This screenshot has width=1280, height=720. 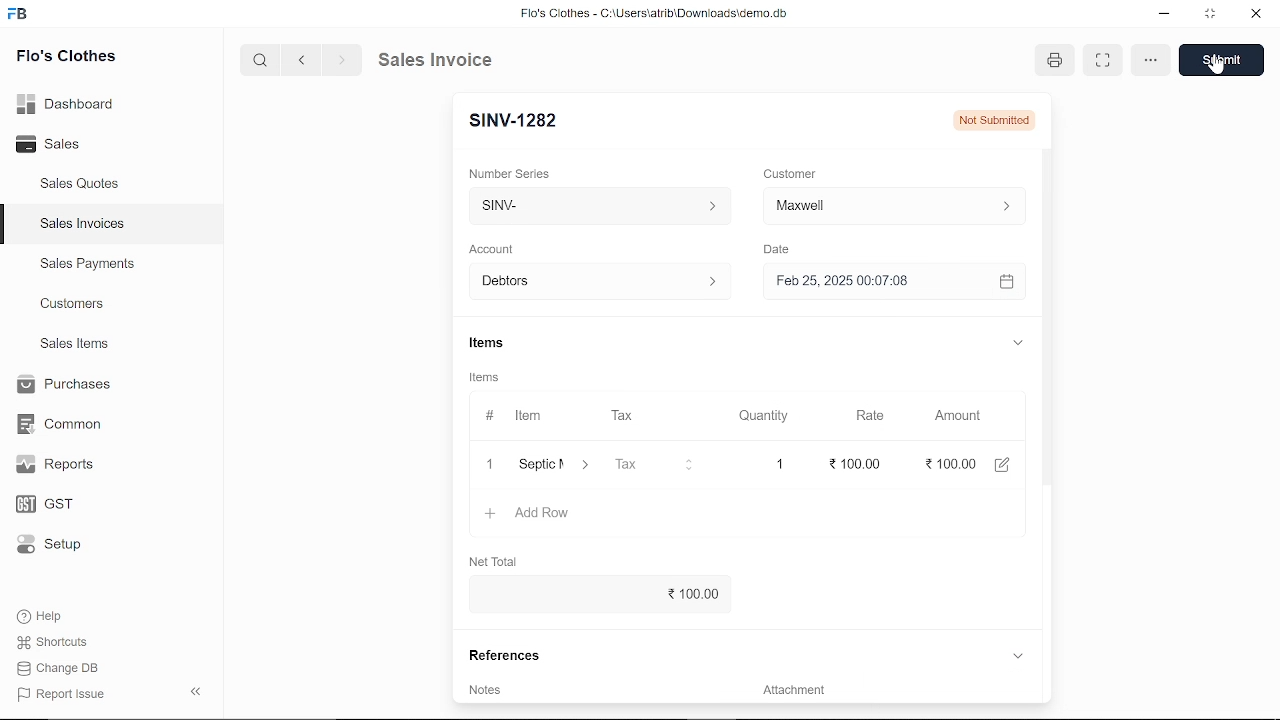 I want to click on next, so click(x=342, y=60).